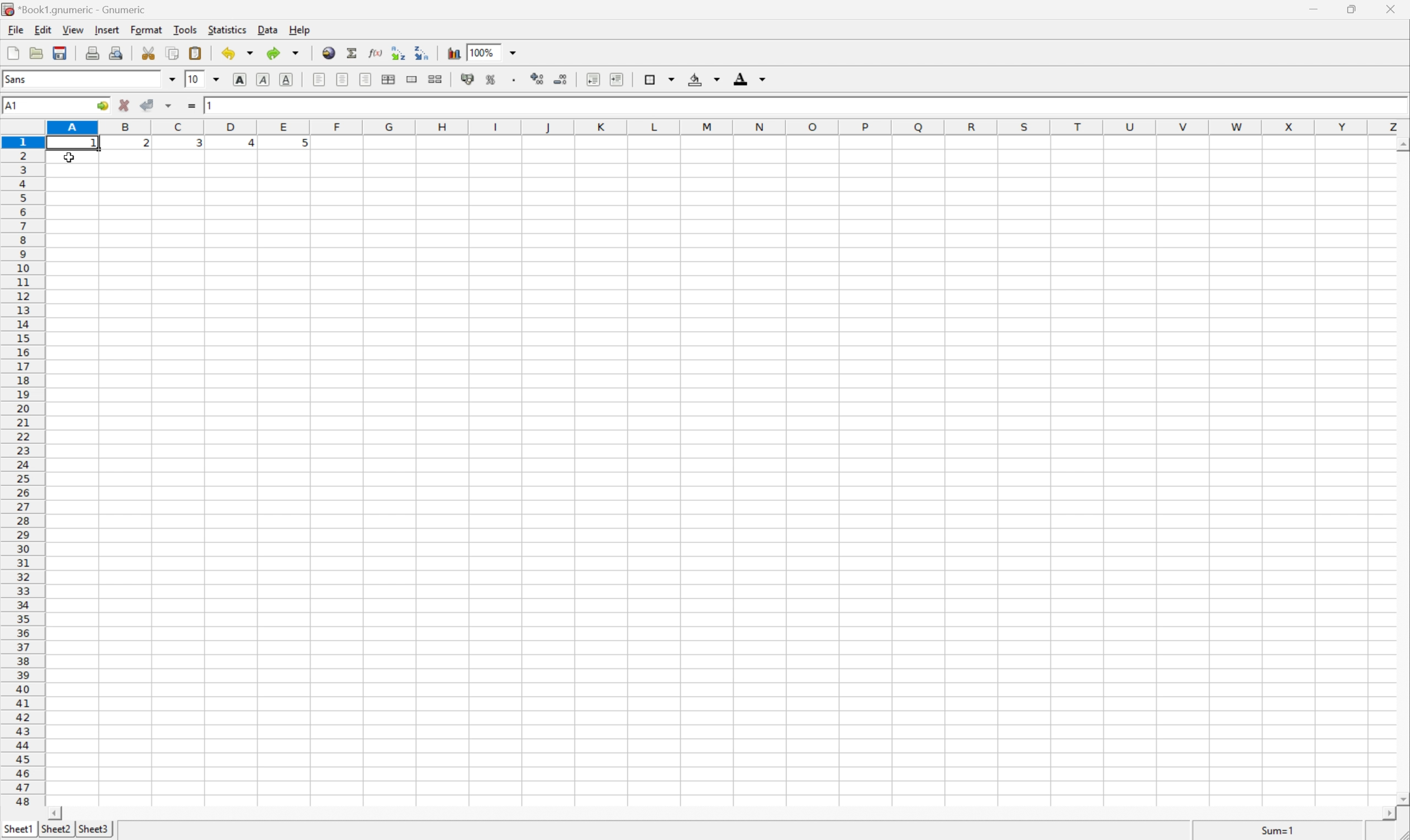  What do you see at coordinates (413, 80) in the screenshot?
I see `merge a range of cells` at bounding box center [413, 80].